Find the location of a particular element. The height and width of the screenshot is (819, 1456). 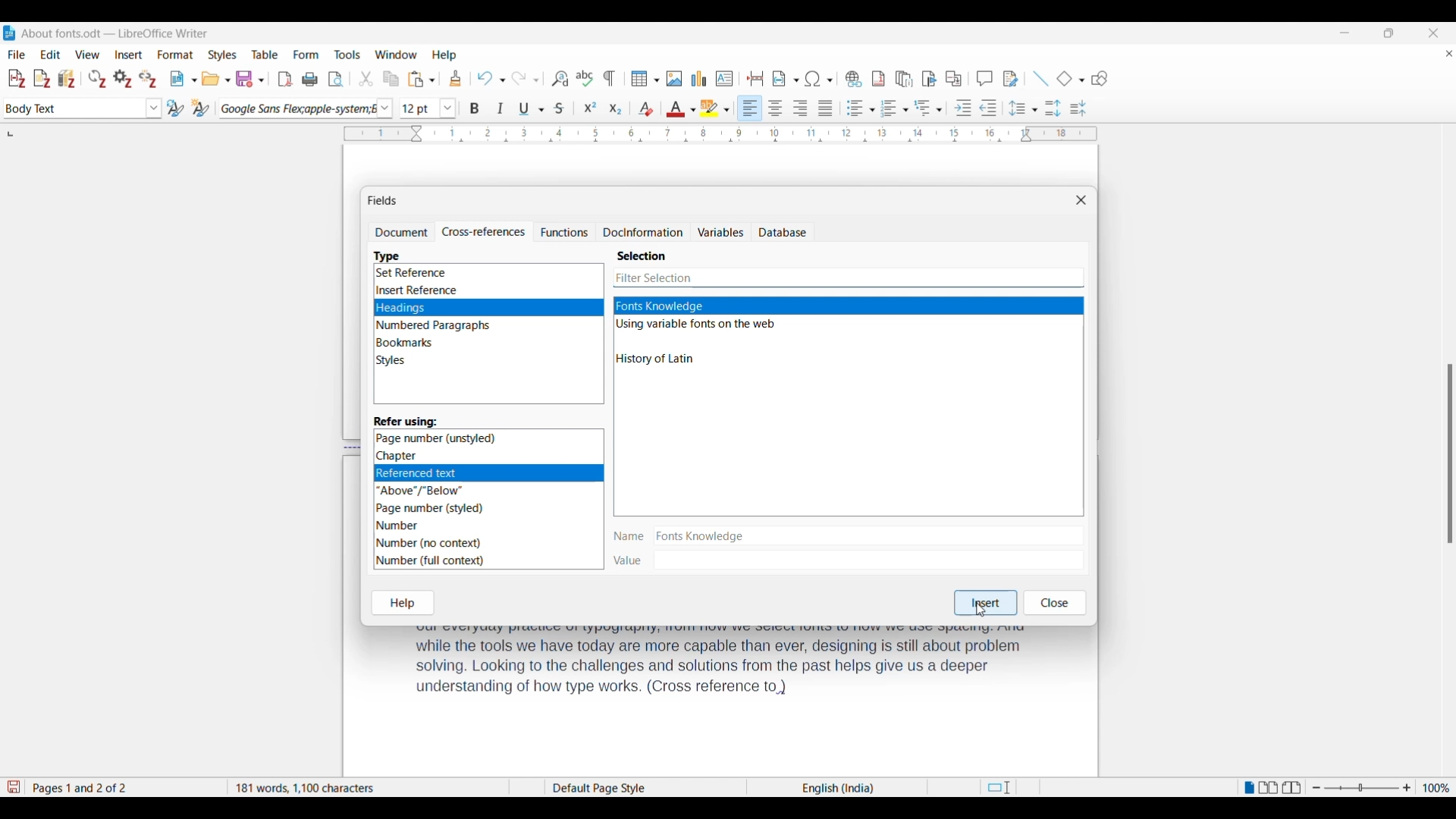

‘Chapter is located at coordinates (399, 456).